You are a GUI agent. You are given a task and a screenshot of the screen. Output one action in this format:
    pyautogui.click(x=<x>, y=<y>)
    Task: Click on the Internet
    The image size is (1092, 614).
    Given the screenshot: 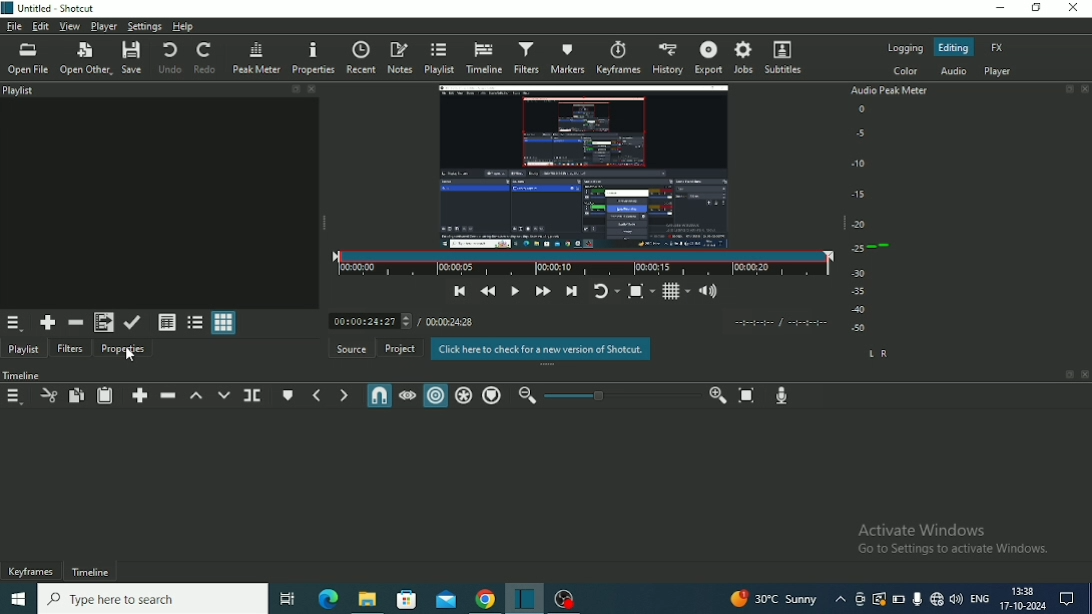 What is the action you would take?
    pyautogui.click(x=936, y=600)
    